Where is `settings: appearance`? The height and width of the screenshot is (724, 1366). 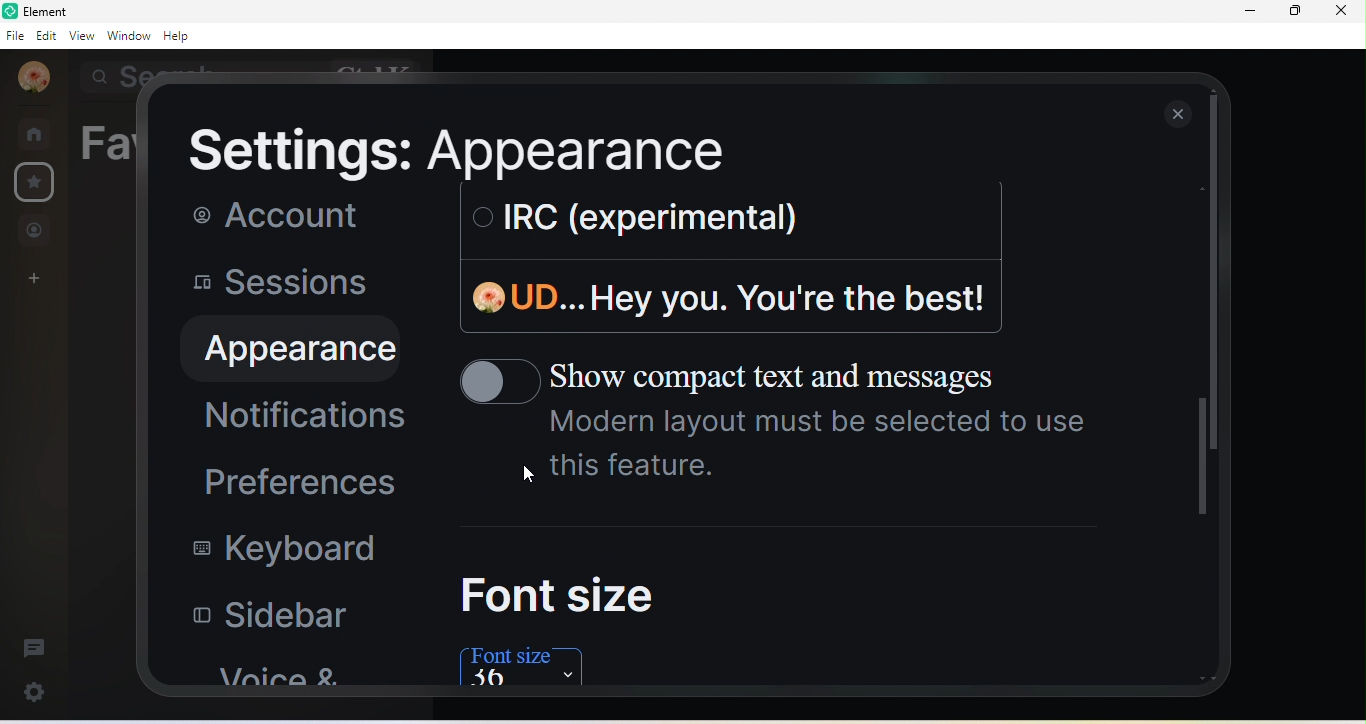 settings: appearance is located at coordinates (444, 152).